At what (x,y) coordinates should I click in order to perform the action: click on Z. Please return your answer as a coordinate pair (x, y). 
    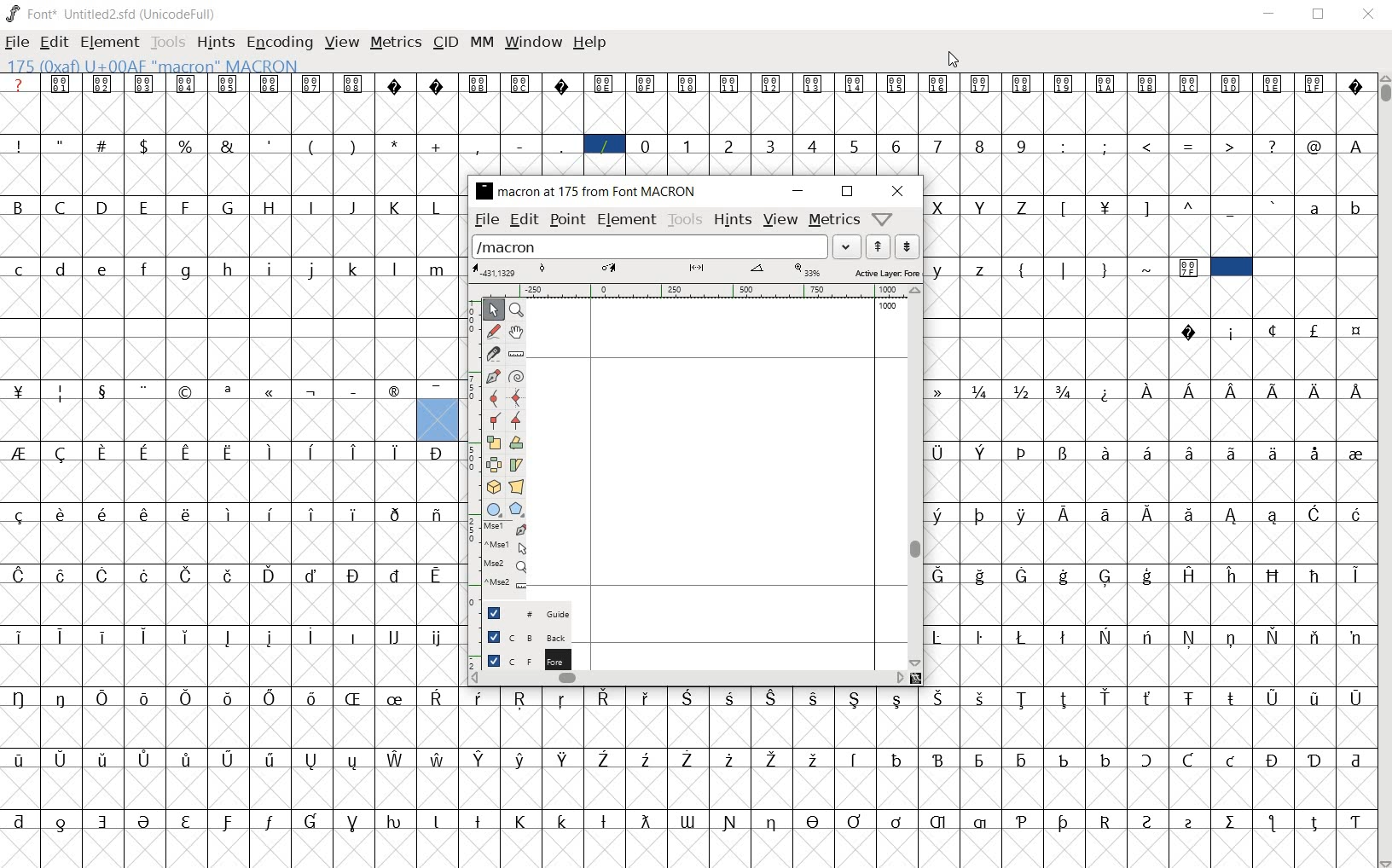
    Looking at the image, I should click on (1024, 206).